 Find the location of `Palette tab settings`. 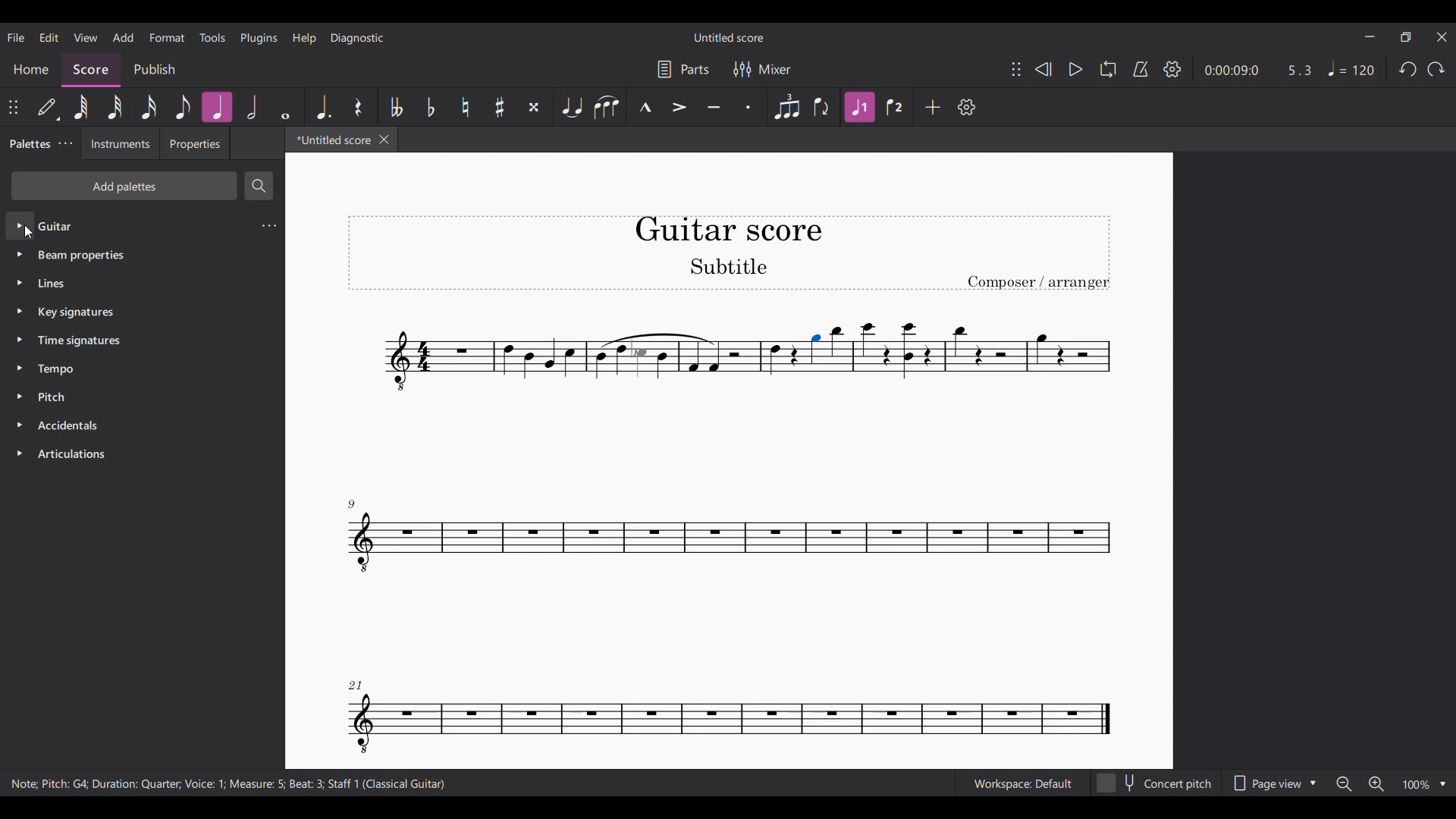

Palette tab settings is located at coordinates (67, 143).